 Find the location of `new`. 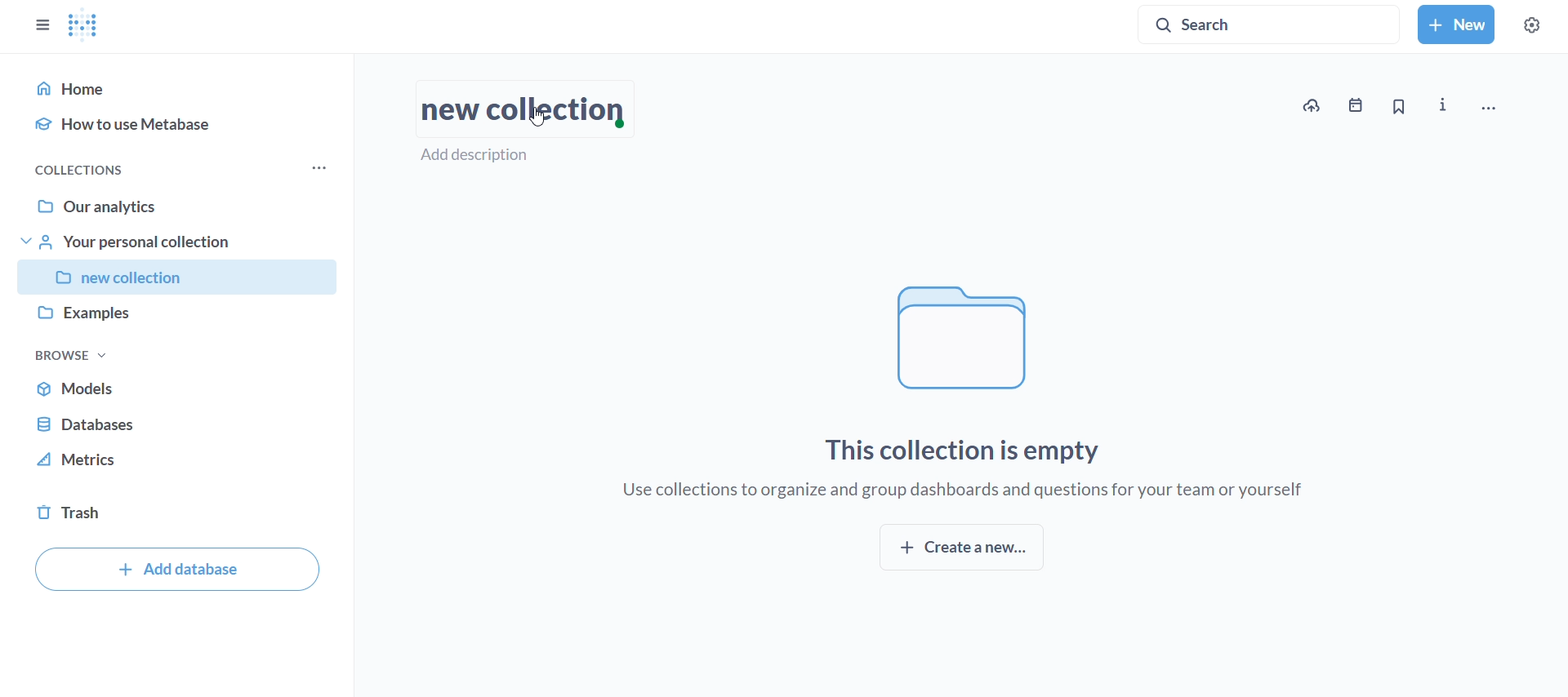

new is located at coordinates (1456, 24).